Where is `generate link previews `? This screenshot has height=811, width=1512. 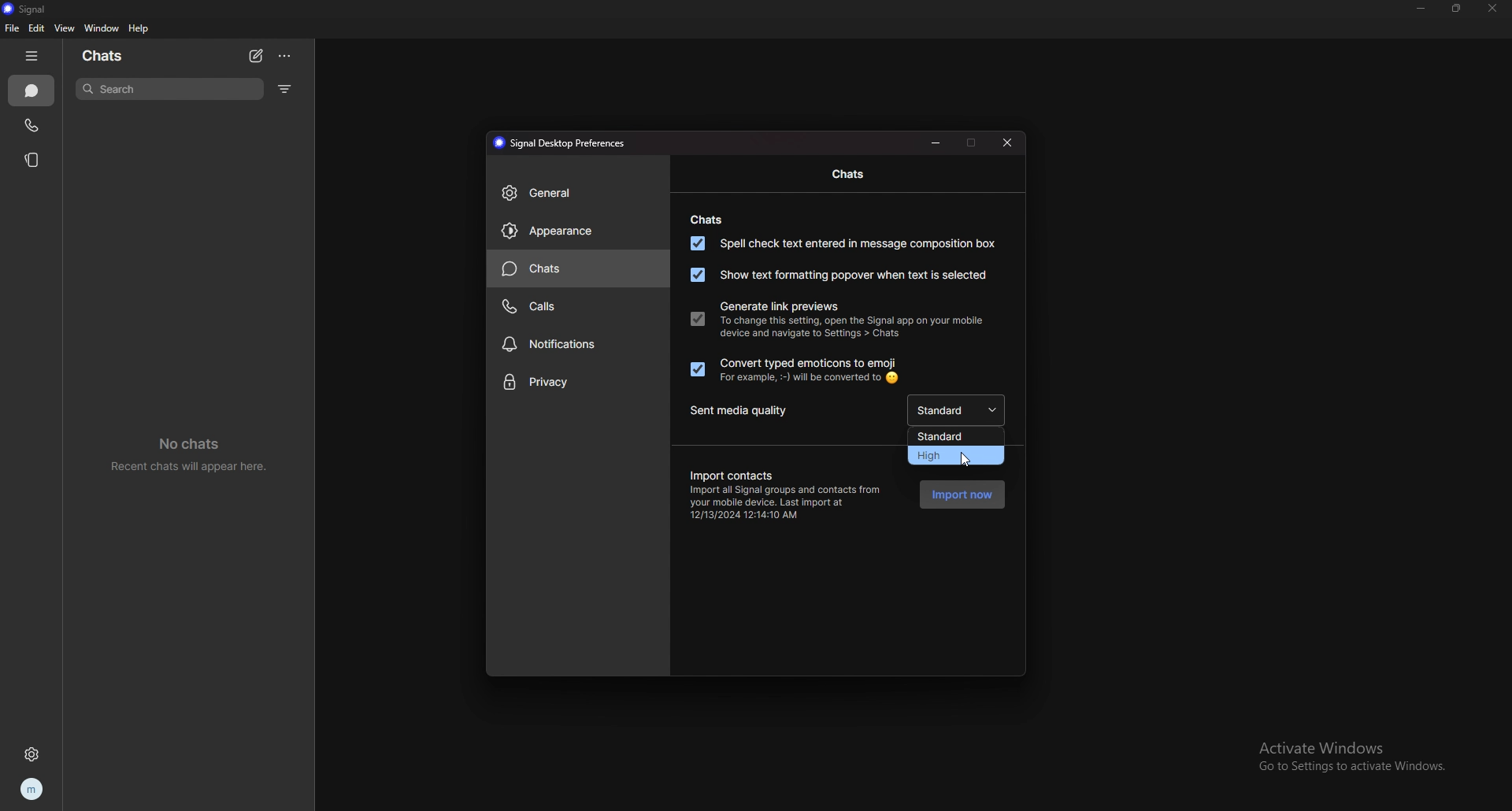 generate link previews  is located at coordinates (779, 307).